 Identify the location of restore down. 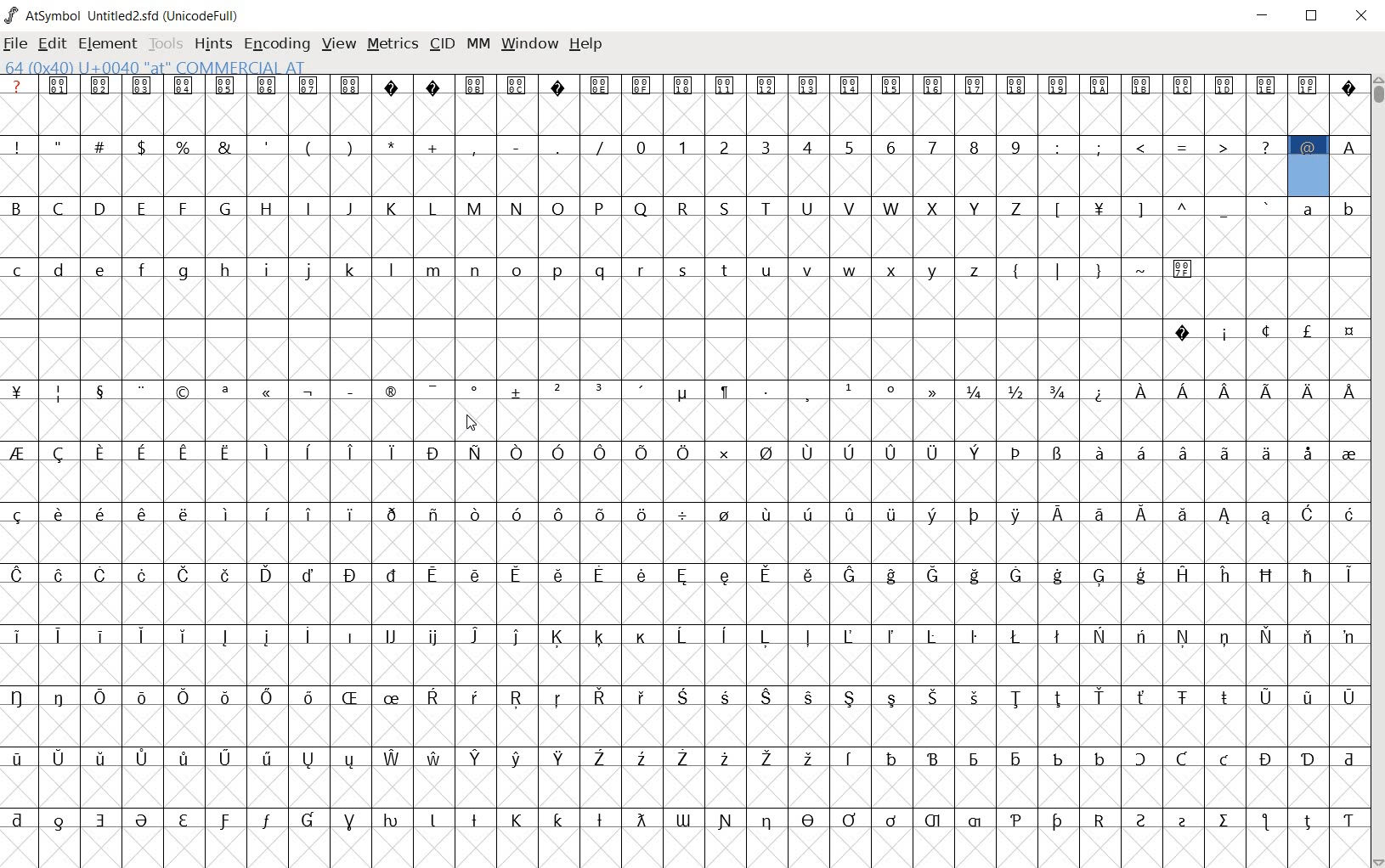
(1314, 16).